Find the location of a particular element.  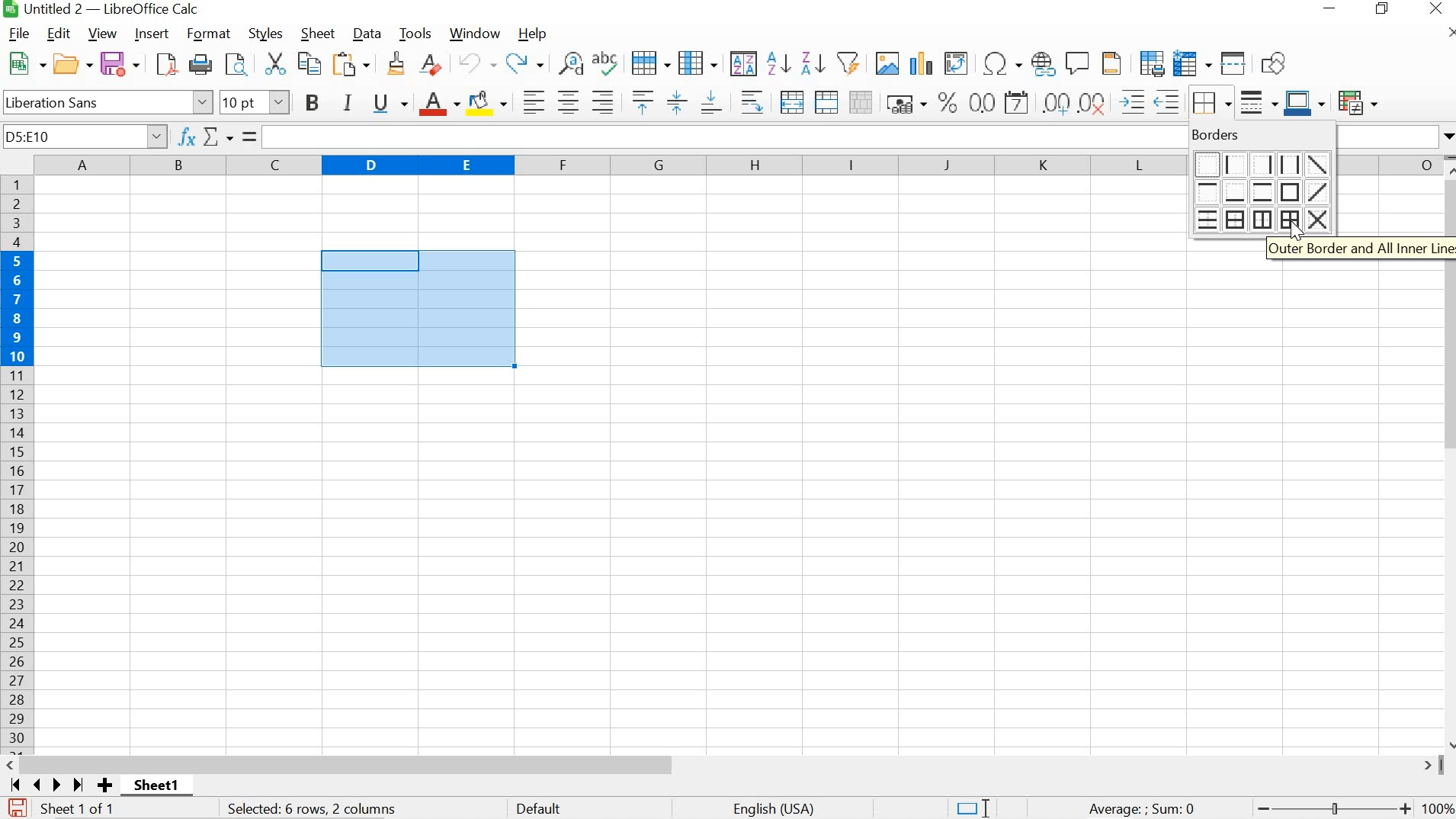

find and replace is located at coordinates (572, 64).